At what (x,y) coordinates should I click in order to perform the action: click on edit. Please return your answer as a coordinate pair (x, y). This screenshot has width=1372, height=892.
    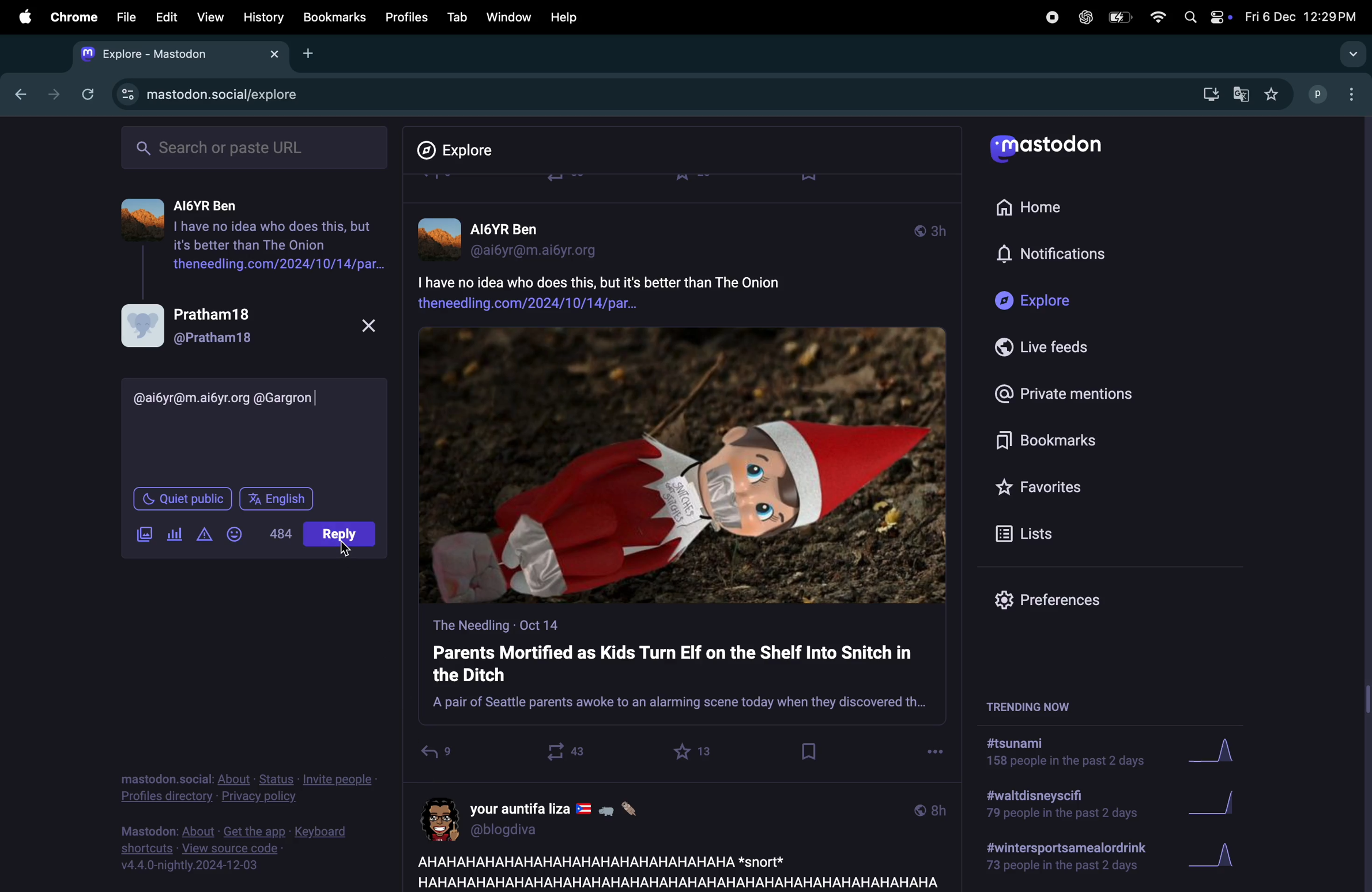
    Looking at the image, I should click on (166, 18).